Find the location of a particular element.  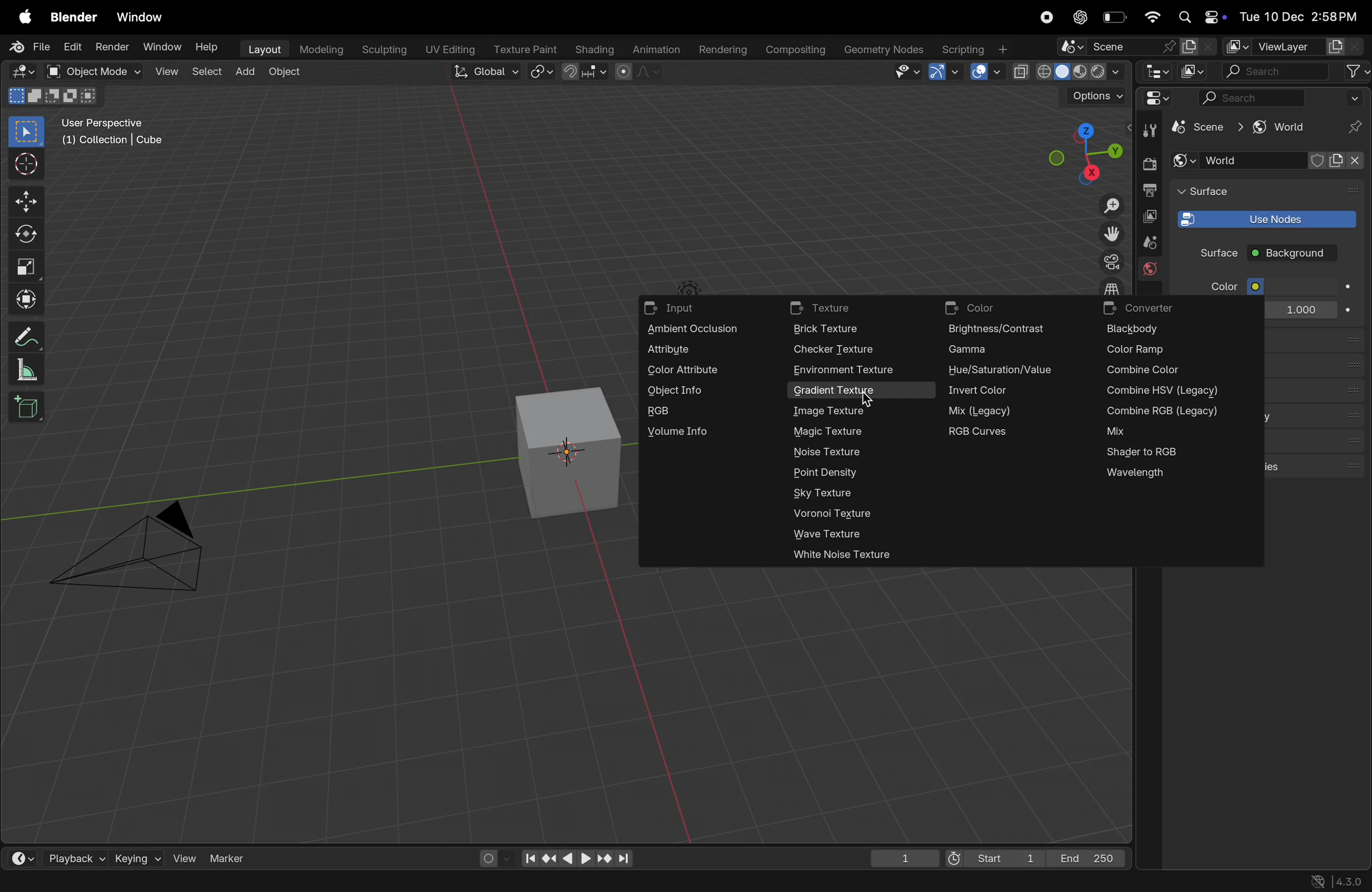

attribute is located at coordinates (691, 350).